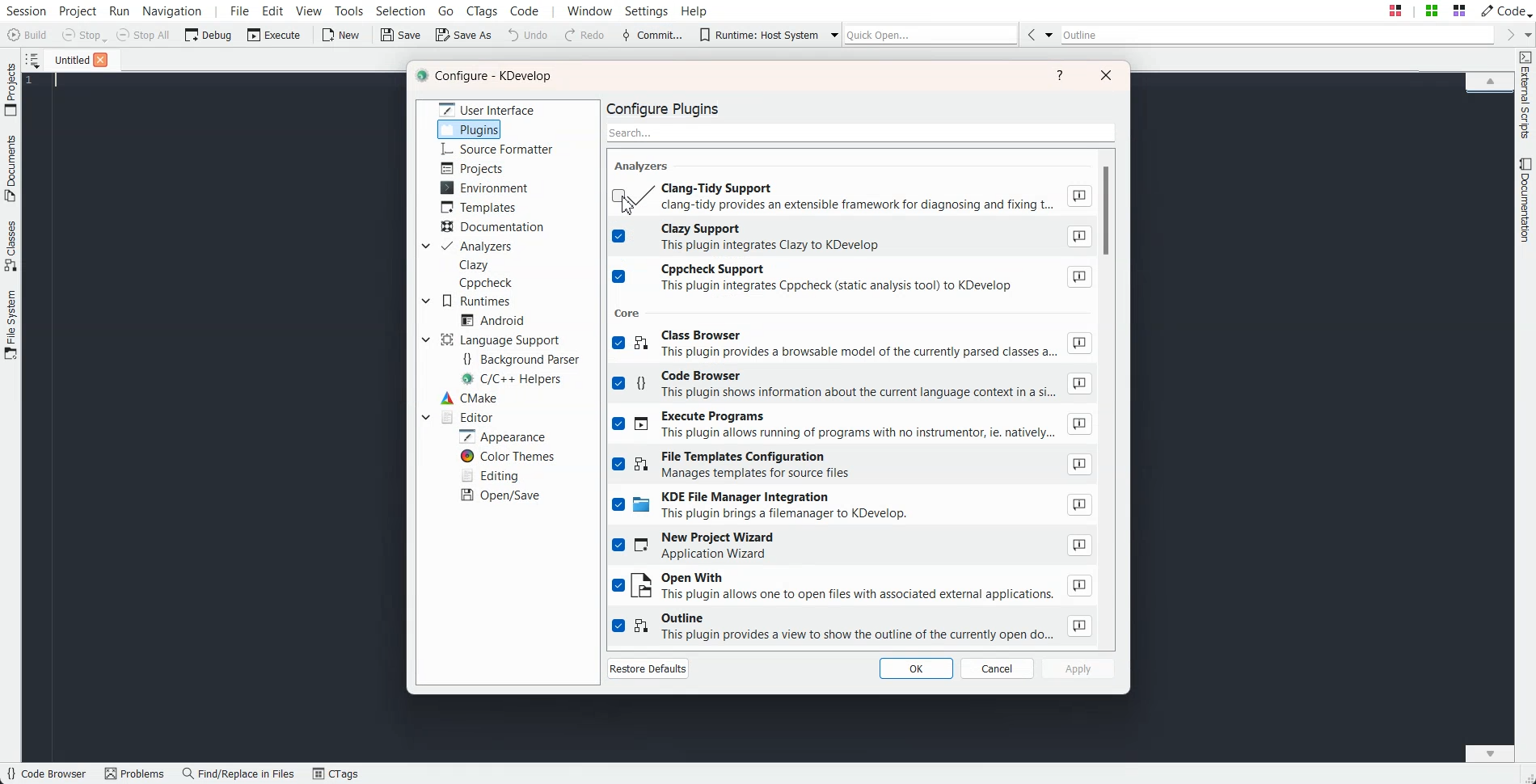 This screenshot has height=784, width=1536. Describe the element at coordinates (477, 247) in the screenshot. I see `Analyzers` at that location.